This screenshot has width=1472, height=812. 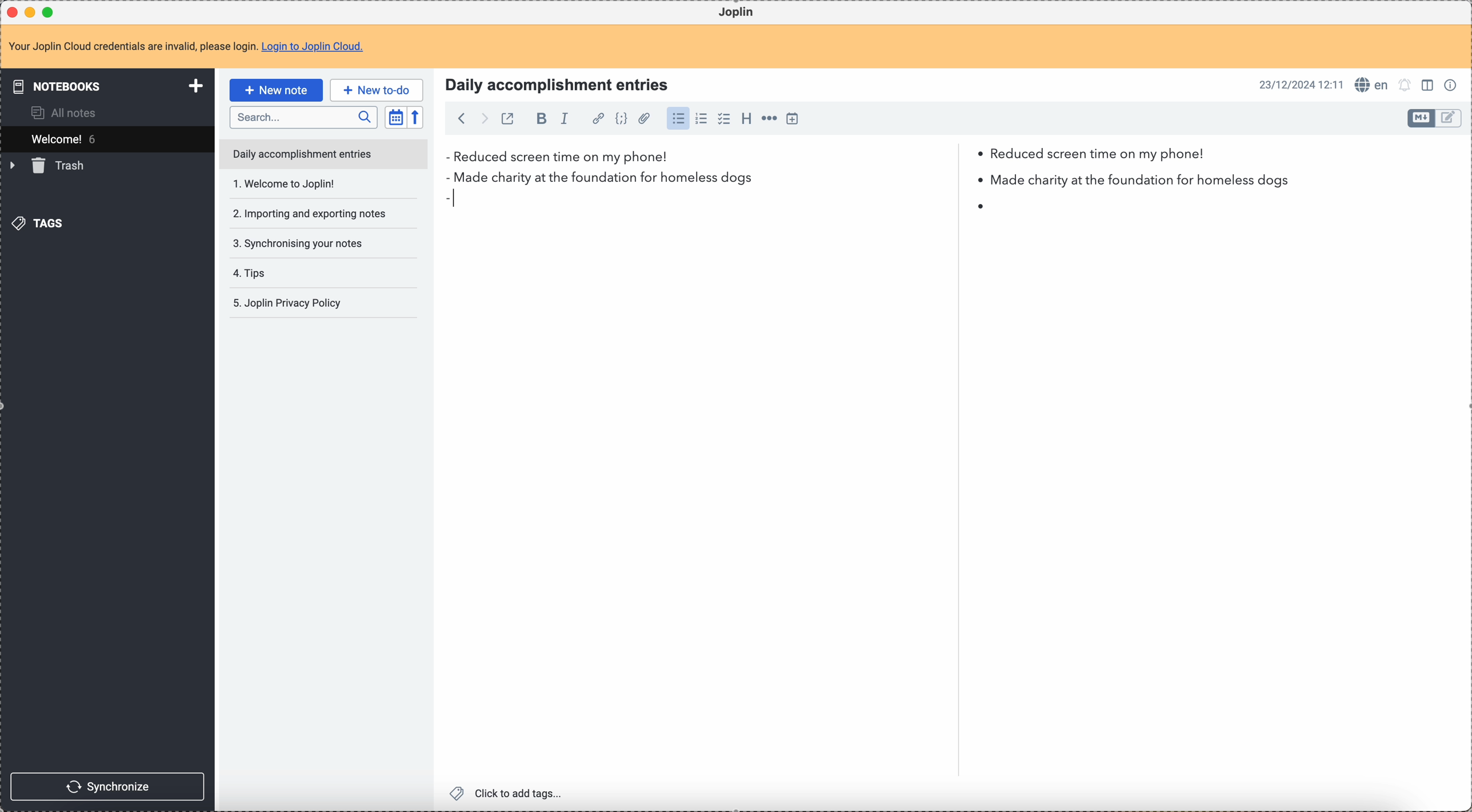 What do you see at coordinates (878, 180) in the screenshot?
I see `made charity at the foundation for homeless dog` at bounding box center [878, 180].